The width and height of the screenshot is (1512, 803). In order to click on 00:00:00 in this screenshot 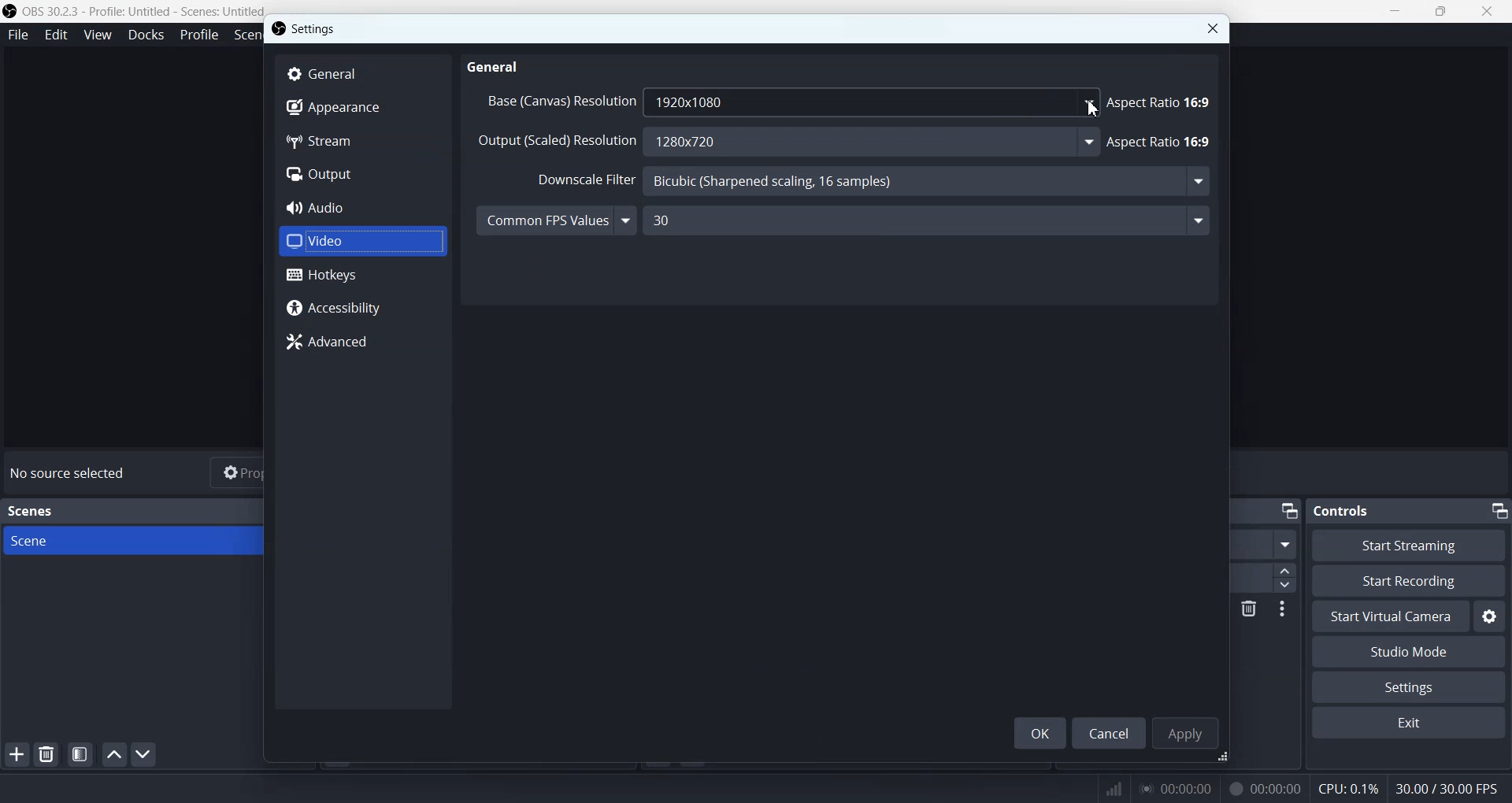, I will do `click(1261, 788)`.